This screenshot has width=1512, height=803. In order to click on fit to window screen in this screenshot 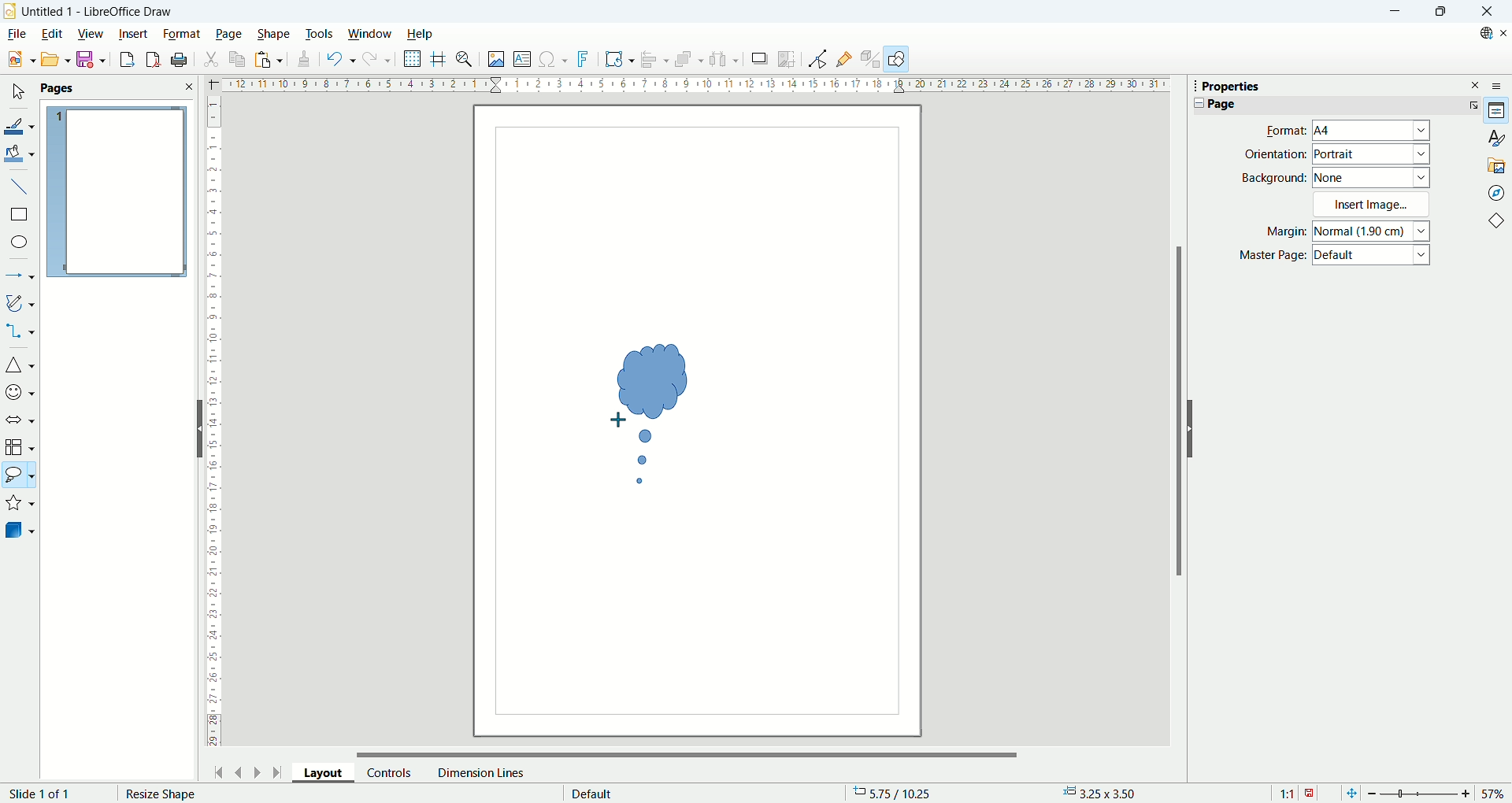, I will do `click(1350, 792)`.